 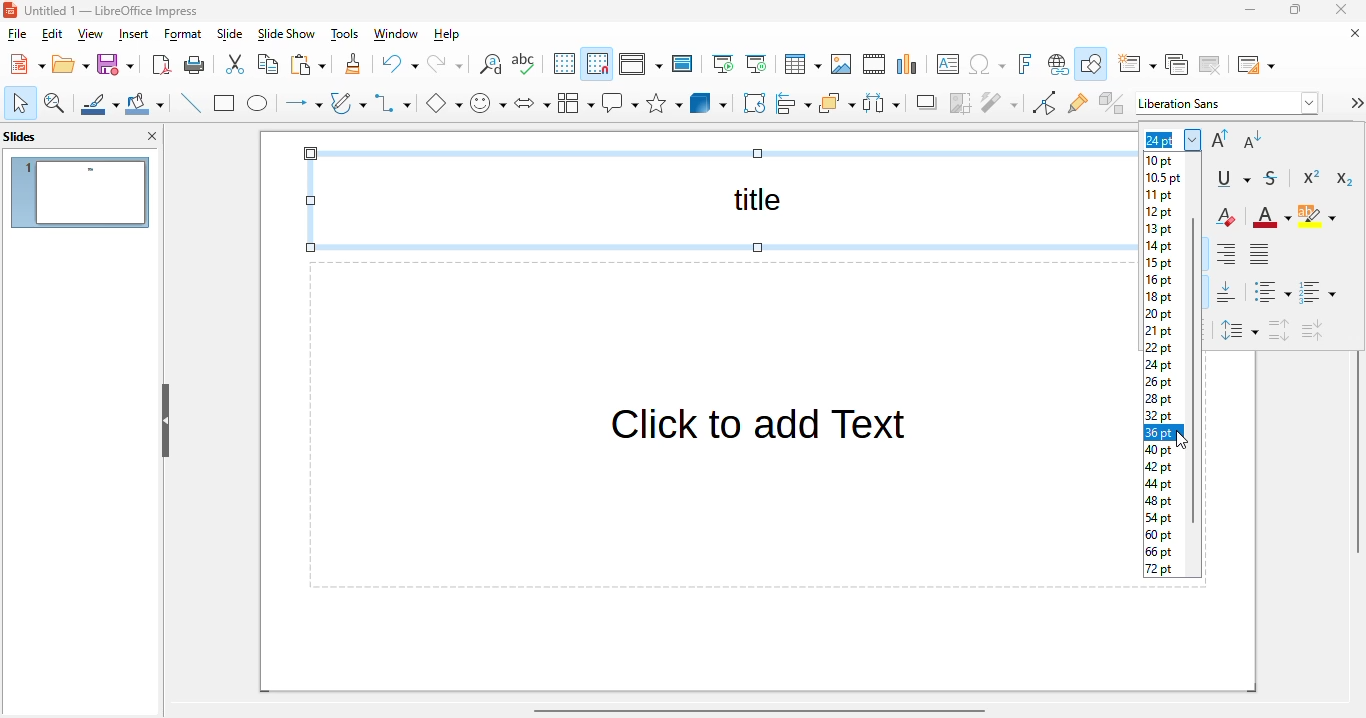 I want to click on close pane, so click(x=153, y=135).